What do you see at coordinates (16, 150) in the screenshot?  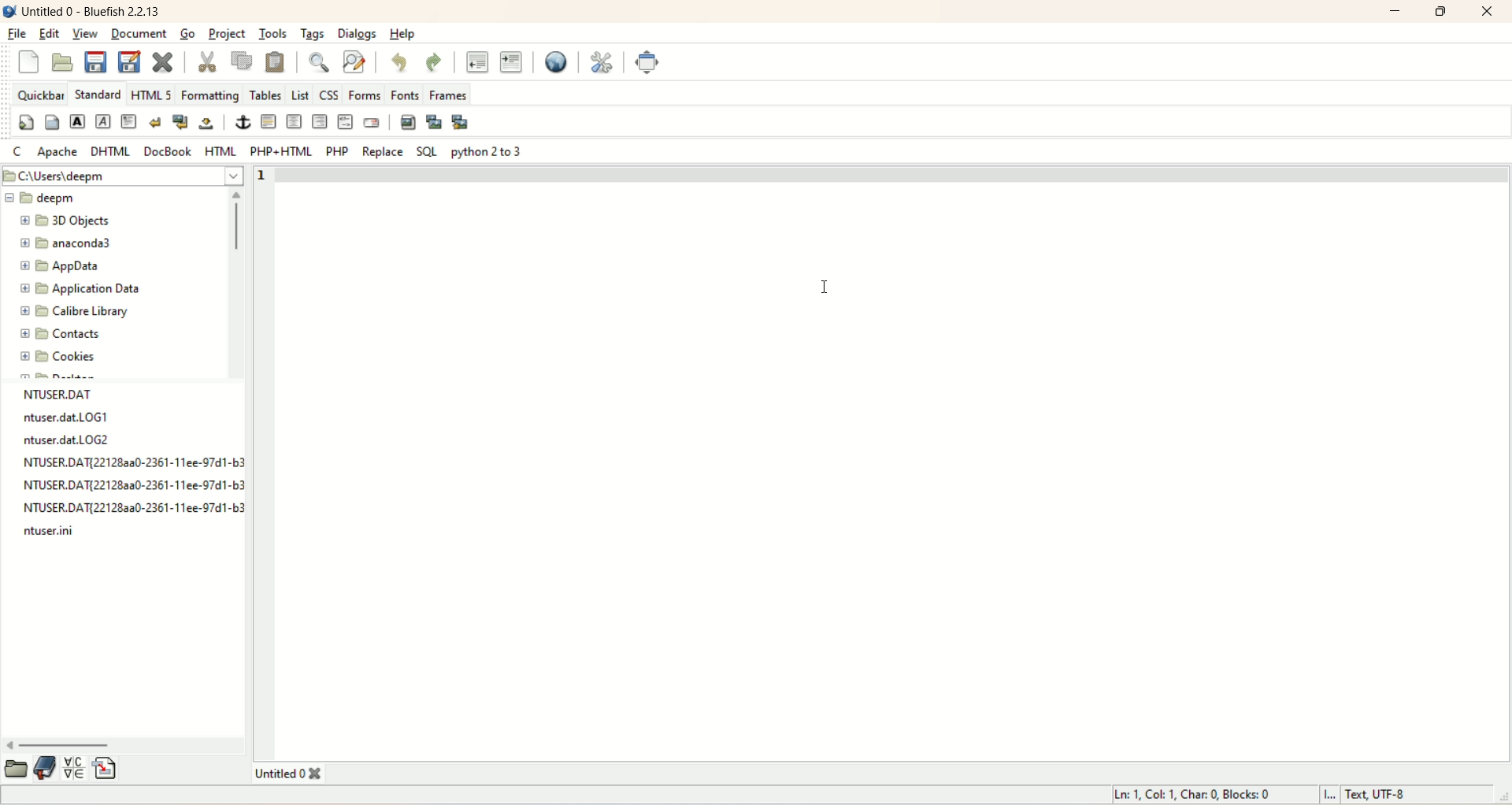 I see `C` at bounding box center [16, 150].